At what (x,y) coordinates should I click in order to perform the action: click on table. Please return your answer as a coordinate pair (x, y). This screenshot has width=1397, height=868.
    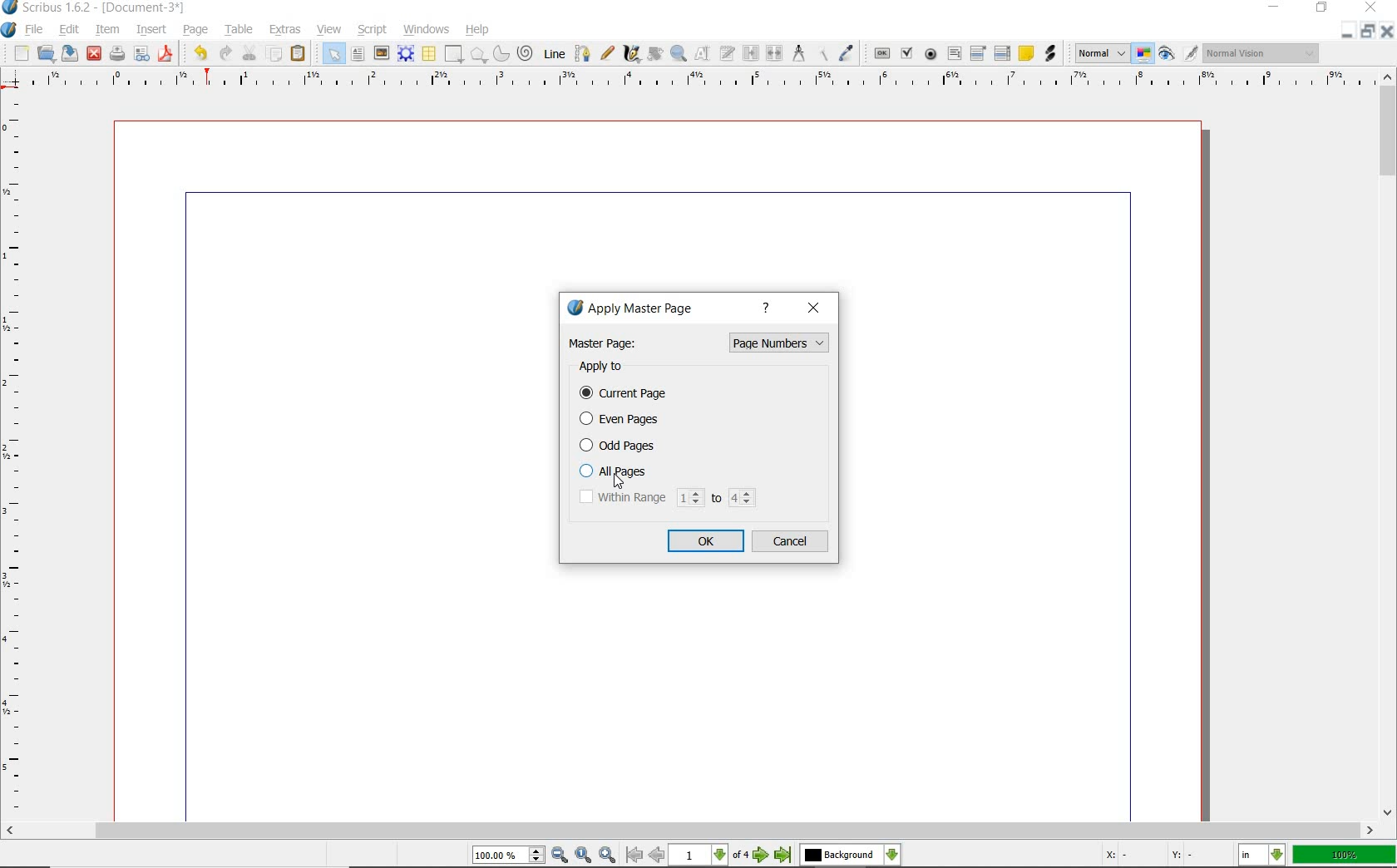
    Looking at the image, I should click on (238, 30).